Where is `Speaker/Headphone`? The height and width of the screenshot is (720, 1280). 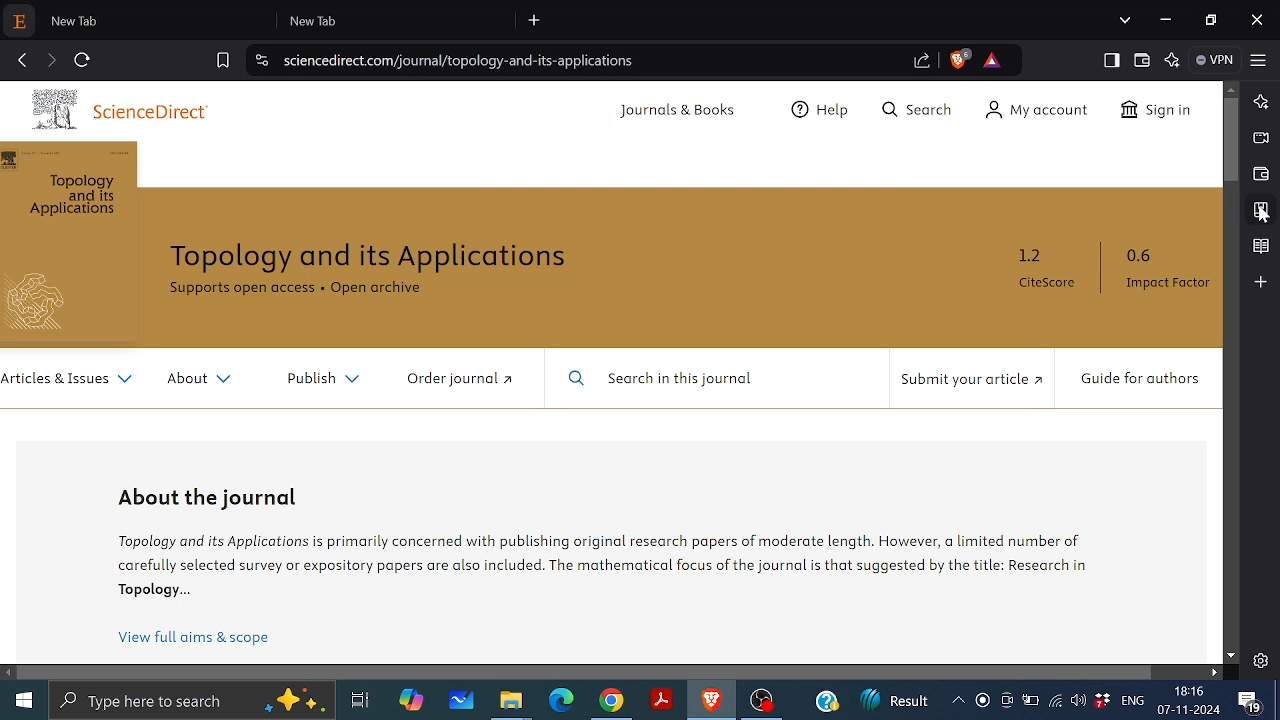 Speaker/Headphone is located at coordinates (1078, 700).